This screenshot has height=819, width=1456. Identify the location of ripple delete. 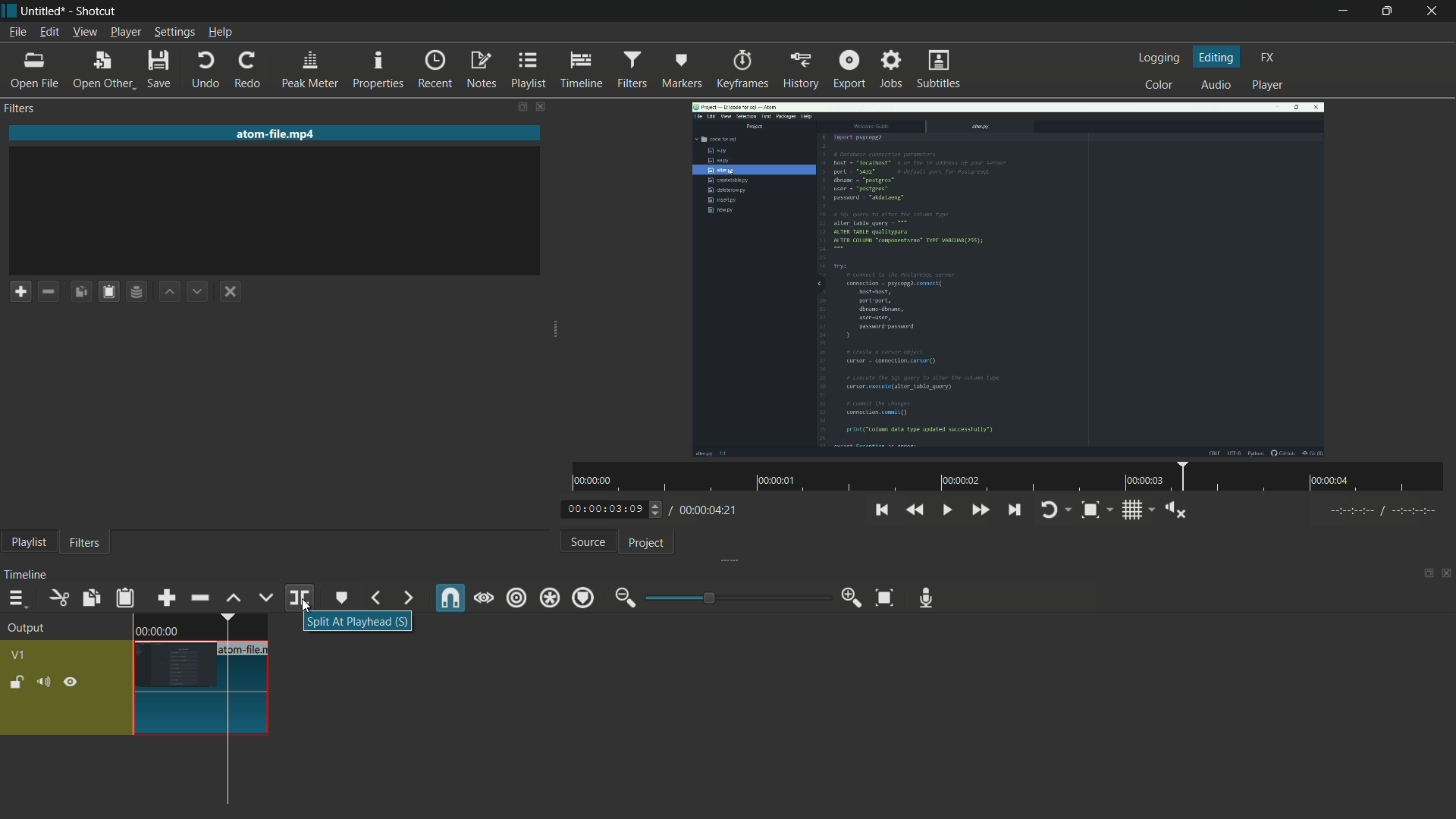
(199, 598).